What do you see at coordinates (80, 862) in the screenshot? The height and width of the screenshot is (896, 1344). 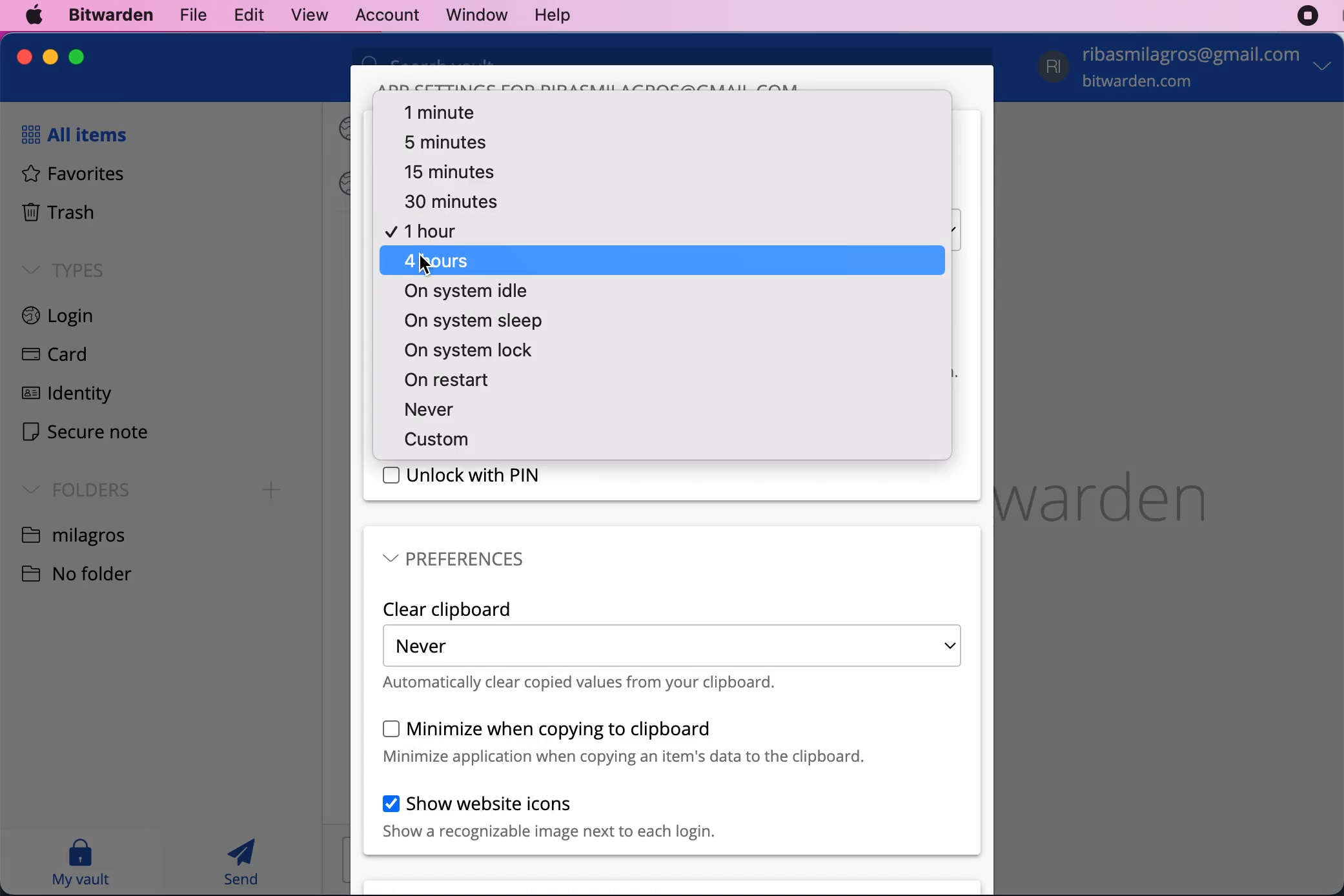 I see `my vault` at bounding box center [80, 862].